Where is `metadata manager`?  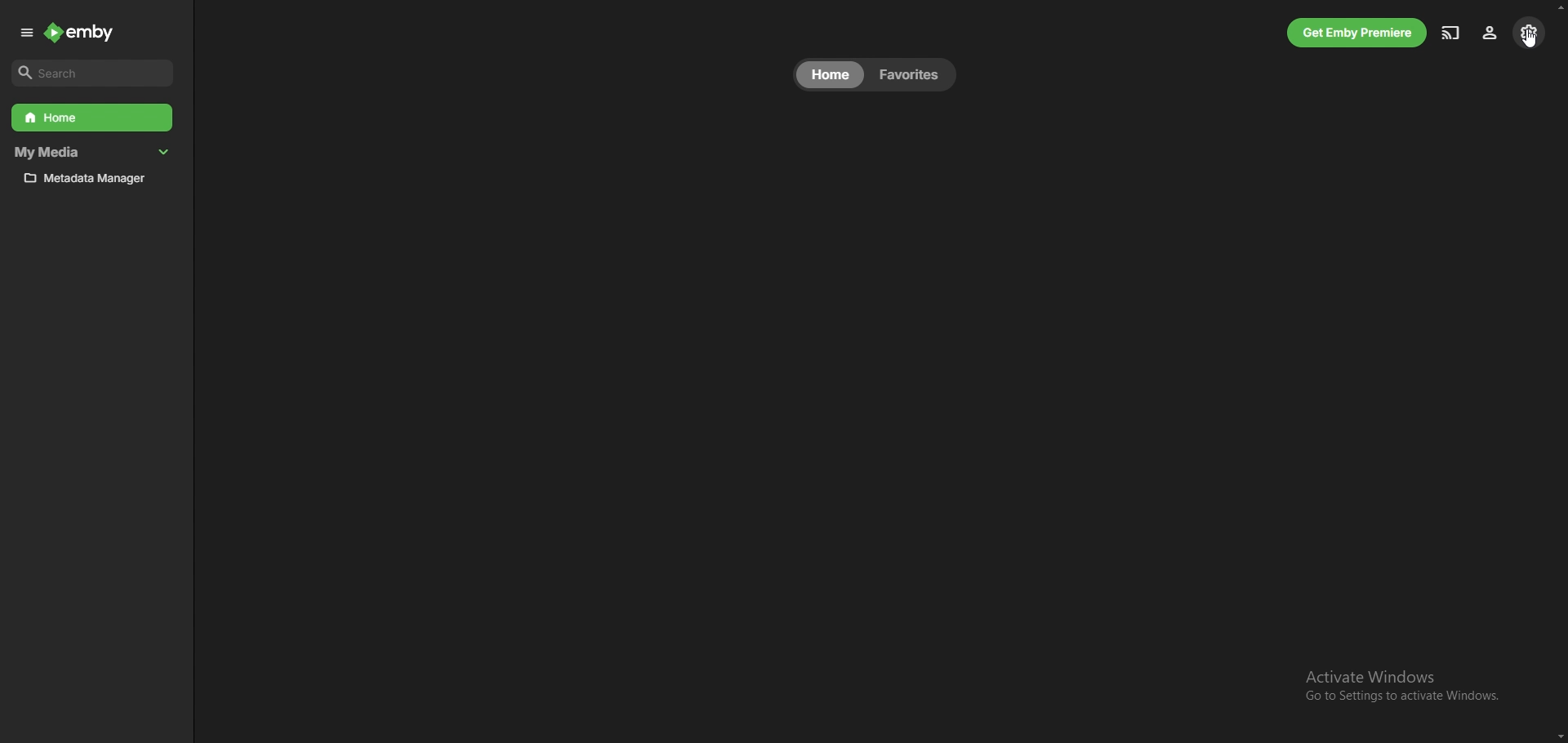 metadata manager is located at coordinates (95, 179).